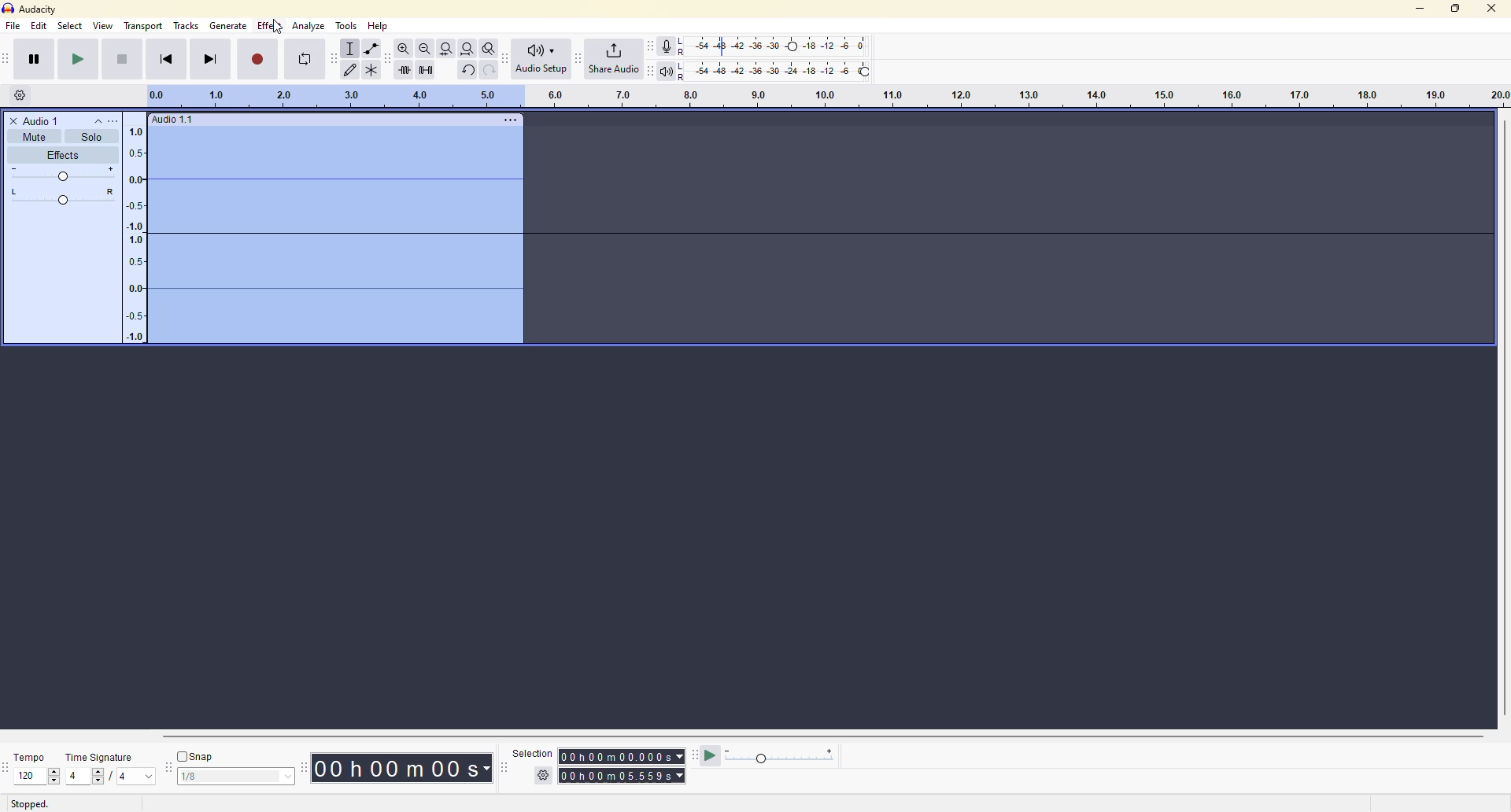 The width and height of the screenshot is (1511, 812). Describe the element at coordinates (20, 94) in the screenshot. I see `timeline options` at that location.